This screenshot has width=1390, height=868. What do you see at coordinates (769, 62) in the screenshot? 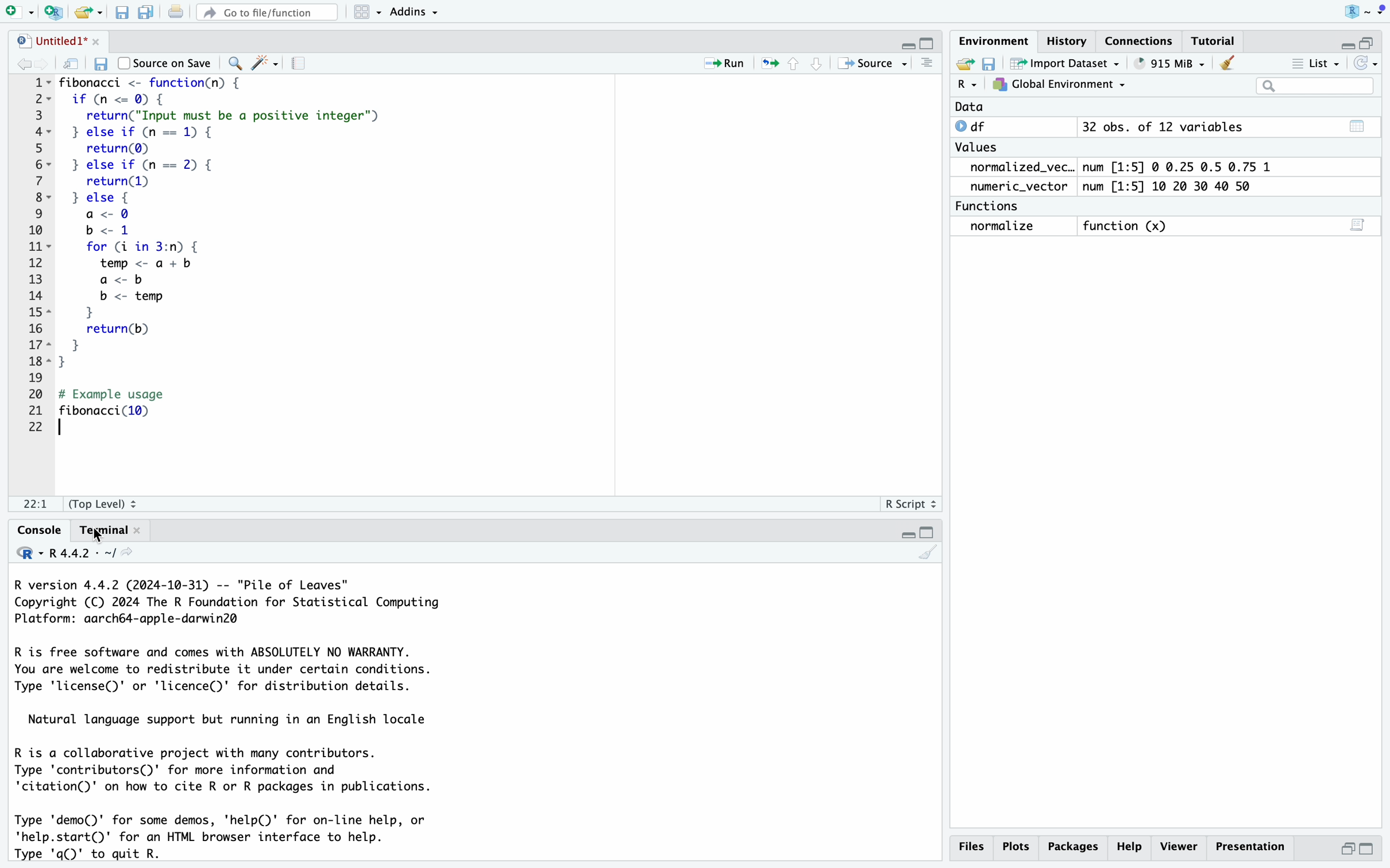
I see `re-run the previous code region` at bounding box center [769, 62].